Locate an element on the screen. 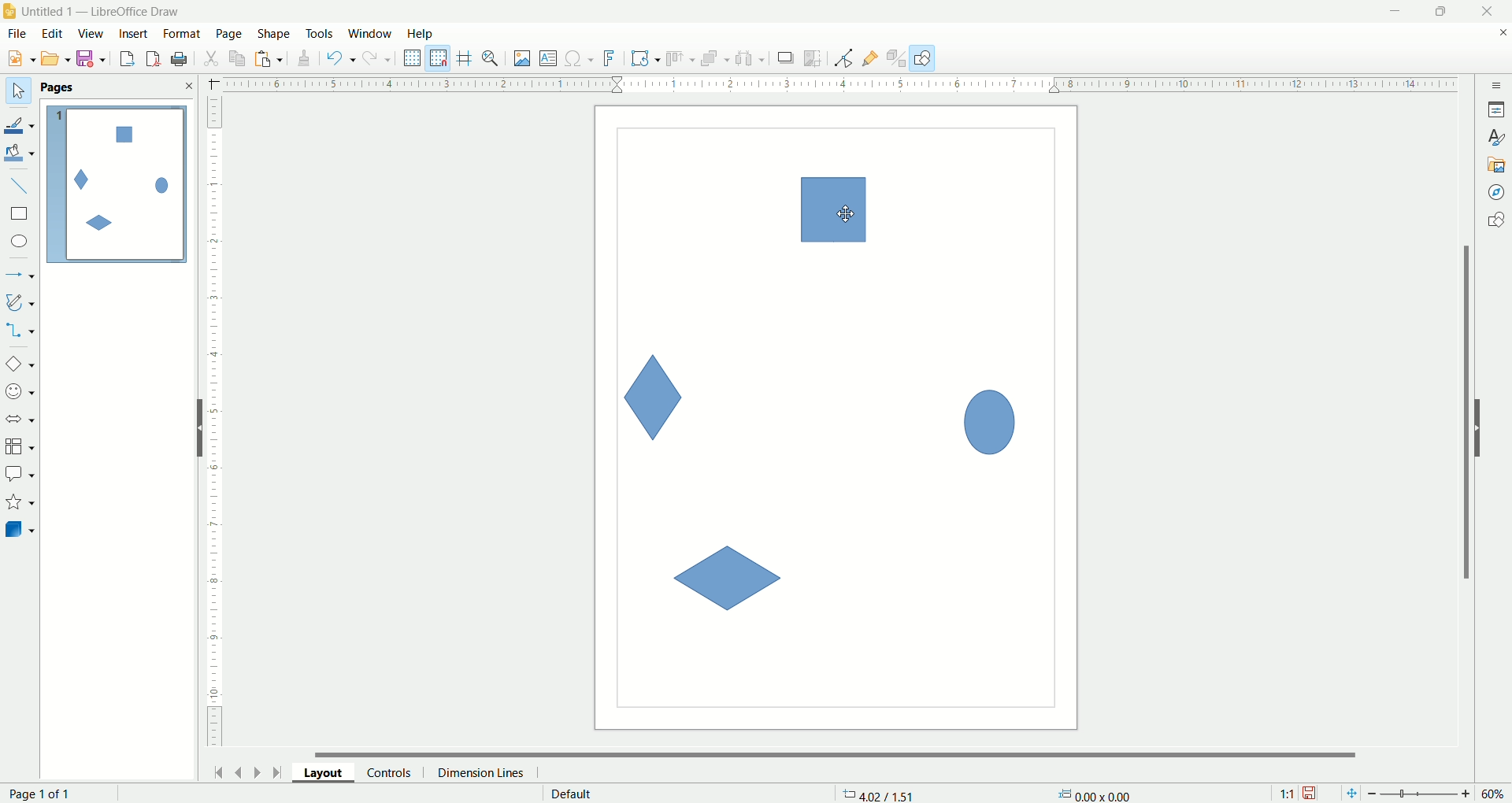 Image resolution: width=1512 pixels, height=803 pixels. transformation is located at coordinates (646, 59).